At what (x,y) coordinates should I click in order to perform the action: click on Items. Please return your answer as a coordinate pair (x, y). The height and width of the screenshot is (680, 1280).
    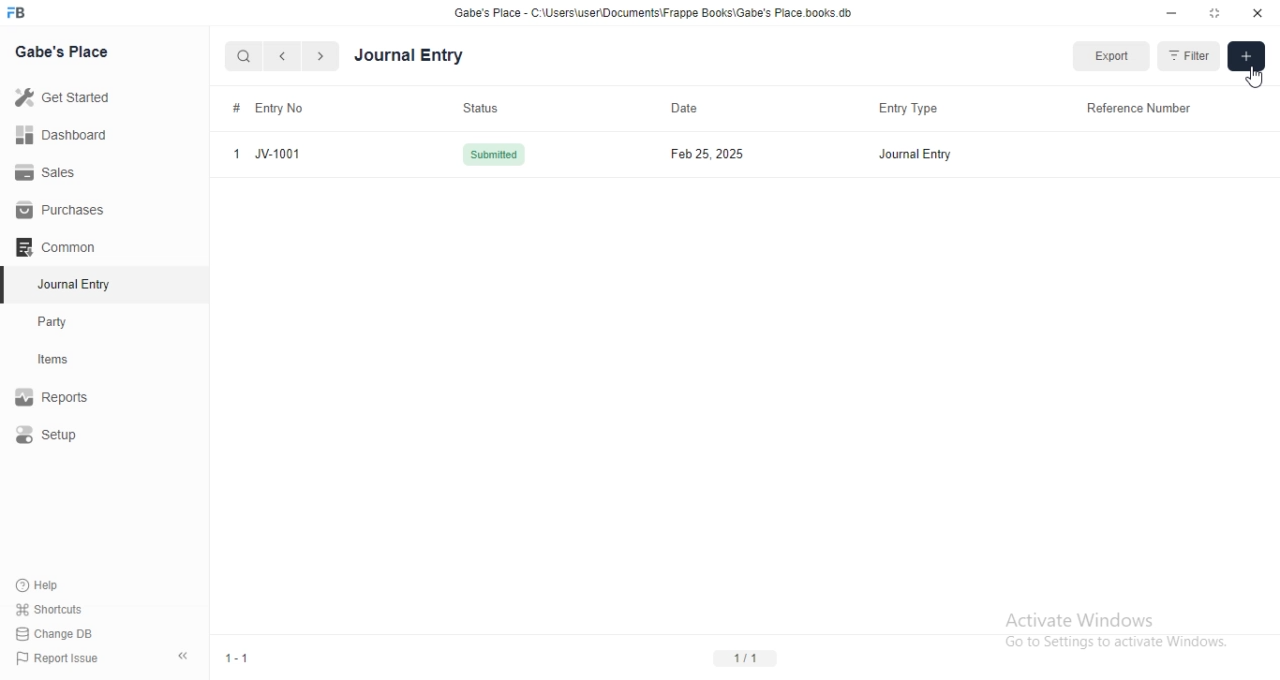
    Looking at the image, I should click on (72, 361).